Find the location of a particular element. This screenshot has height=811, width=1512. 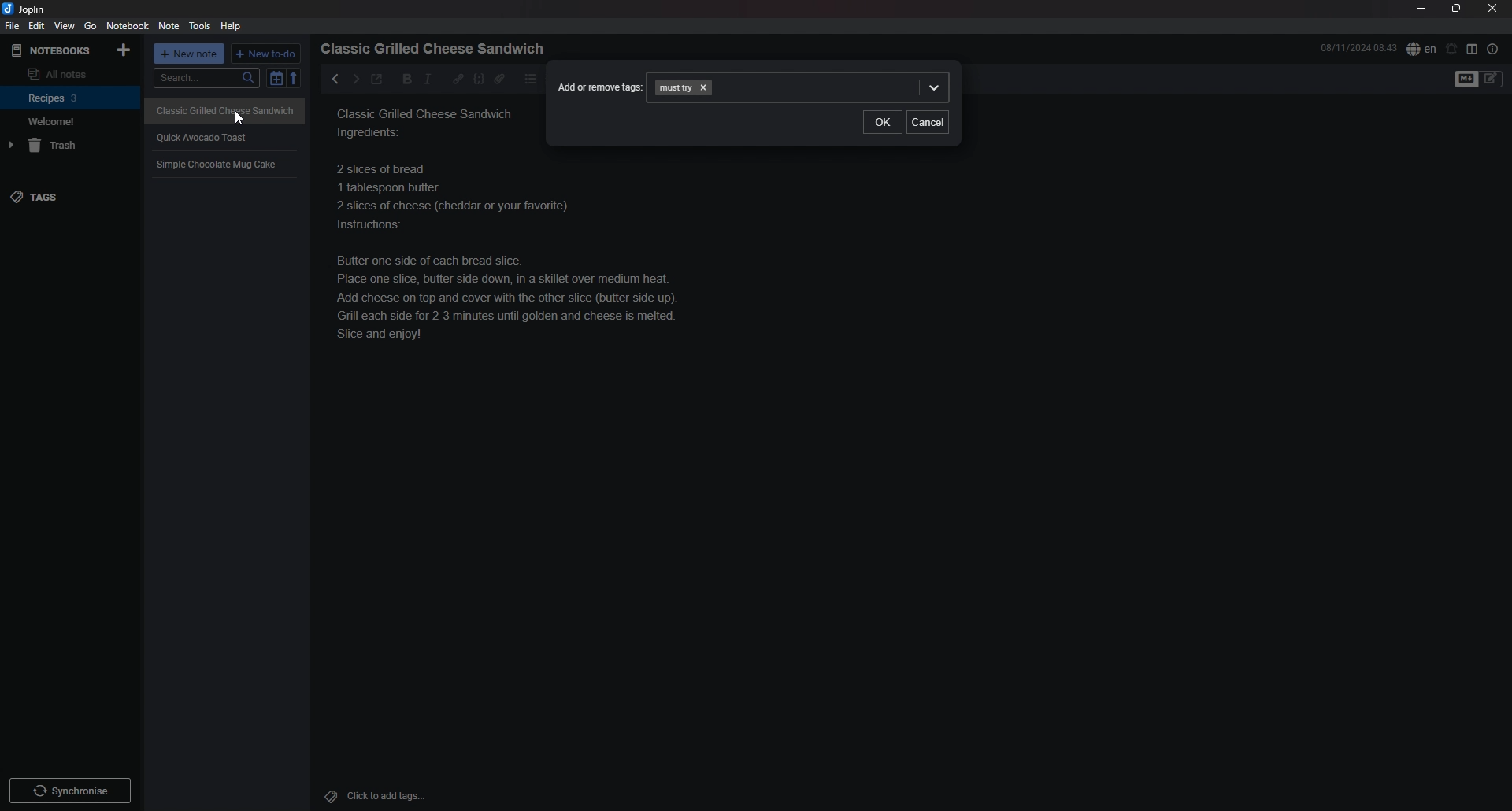

recipe is located at coordinates (220, 109).